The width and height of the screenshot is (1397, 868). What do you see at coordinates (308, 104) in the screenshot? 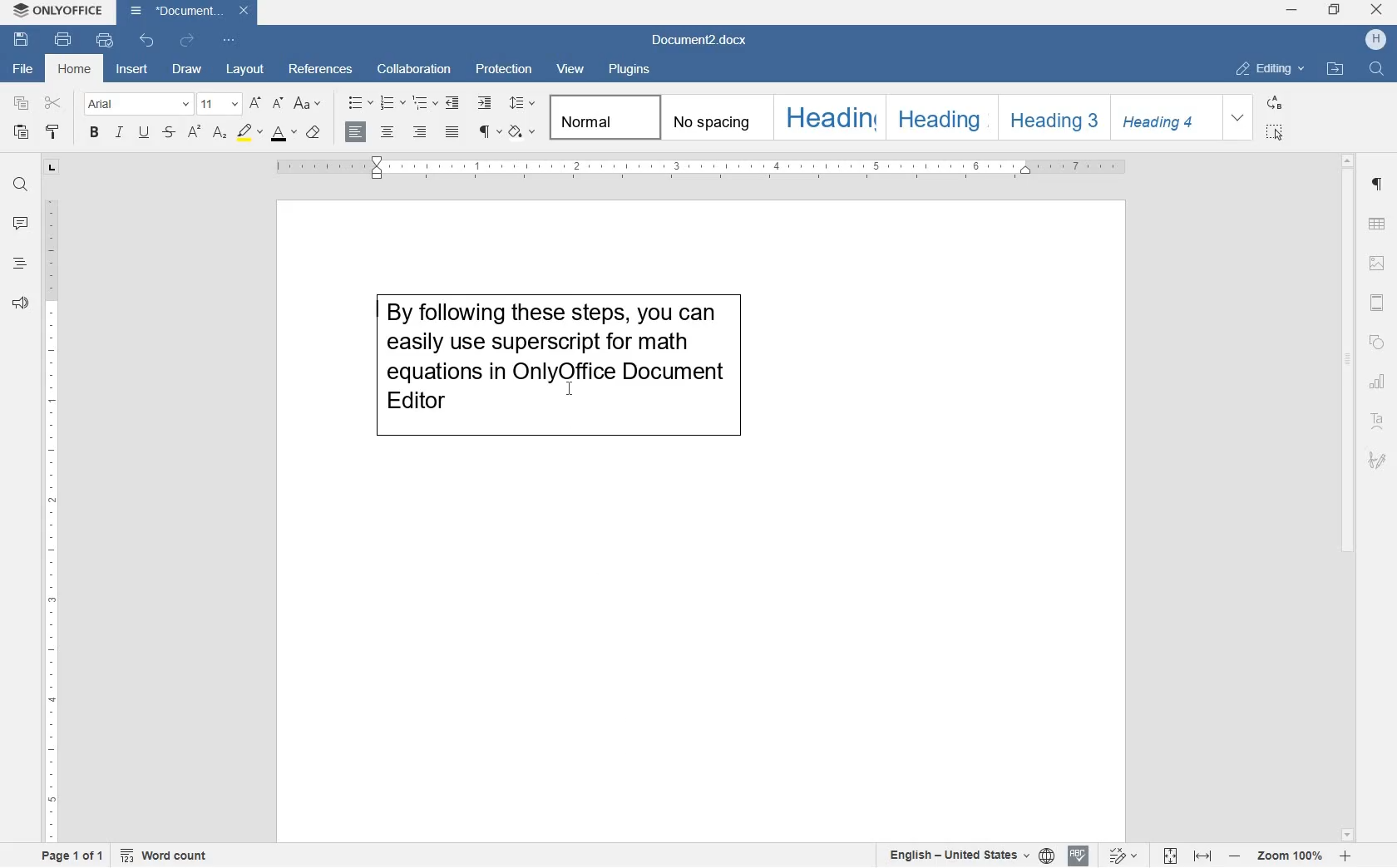
I see `change case` at bounding box center [308, 104].